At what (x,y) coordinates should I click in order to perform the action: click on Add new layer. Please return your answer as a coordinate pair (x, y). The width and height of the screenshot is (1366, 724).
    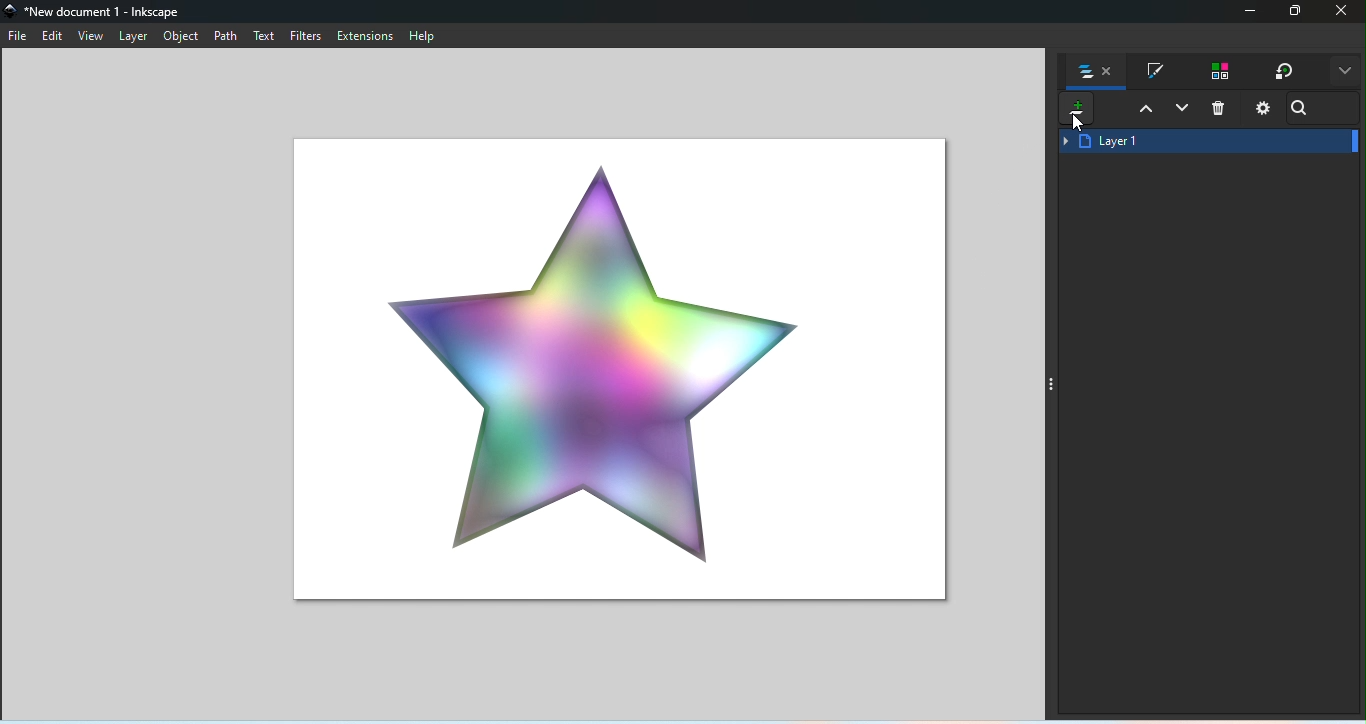
    Looking at the image, I should click on (1073, 111).